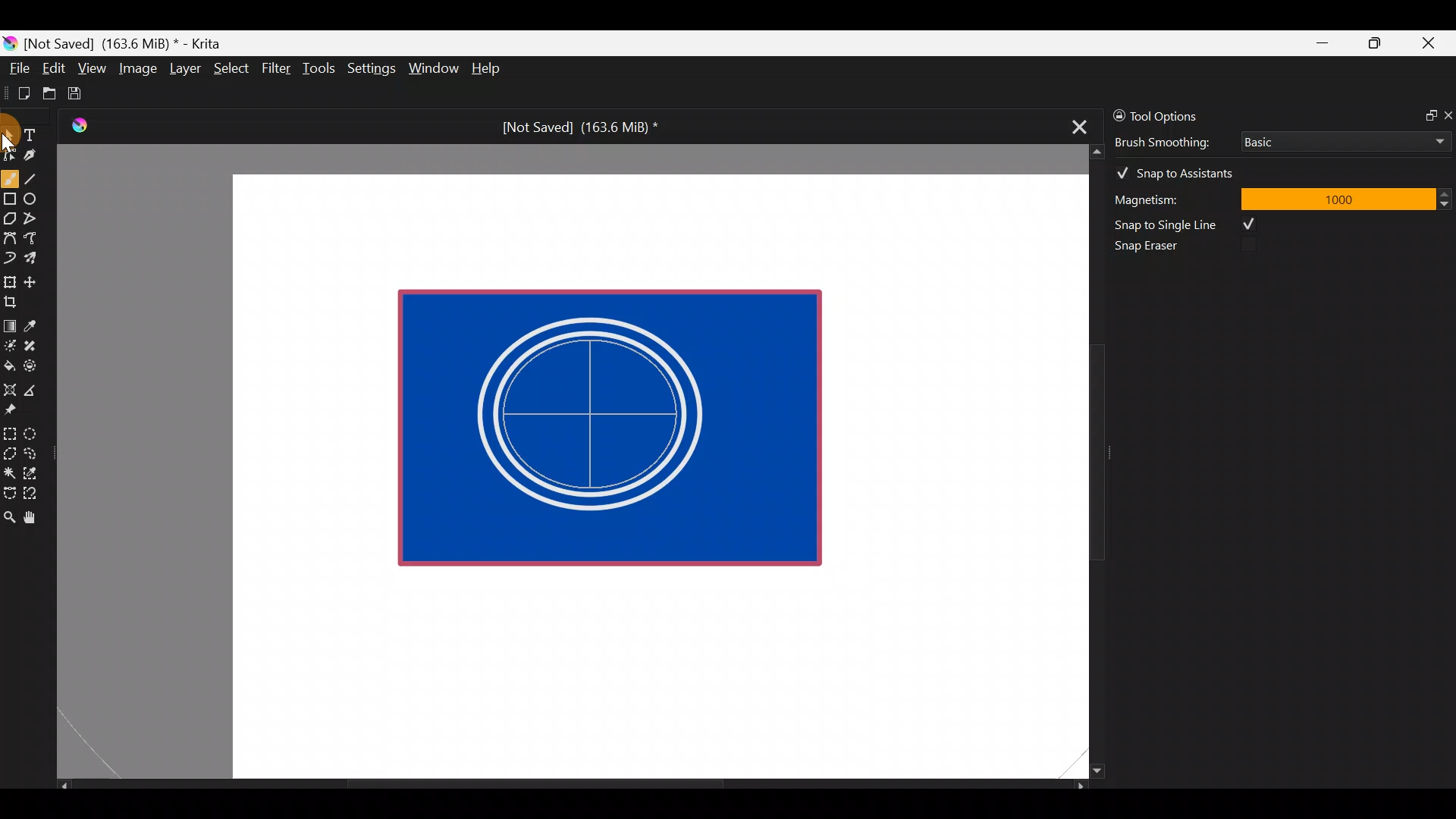 The height and width of the screenshot is (819, 1456). Describe the element at coordinates (35, 280) in the screenshot. I see `Move a layer` at that location.